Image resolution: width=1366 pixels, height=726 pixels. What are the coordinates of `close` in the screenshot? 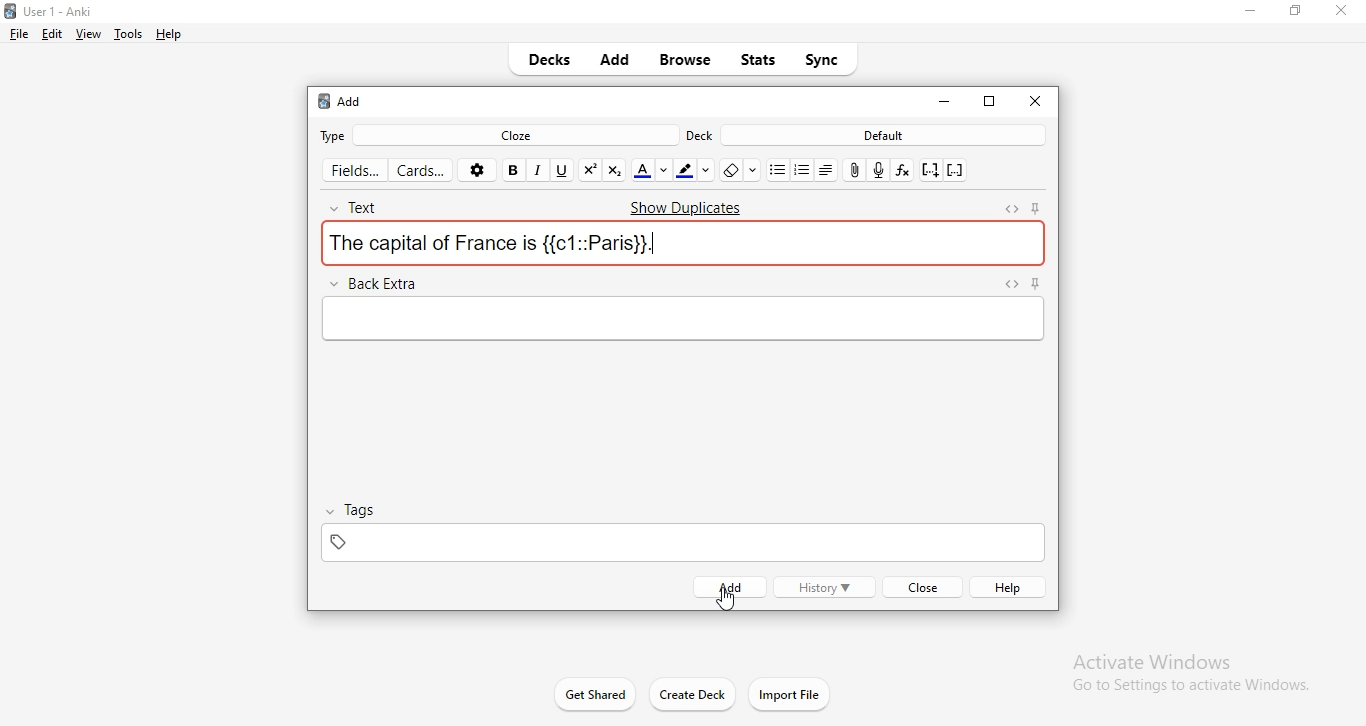 It's located at (1034, 100).